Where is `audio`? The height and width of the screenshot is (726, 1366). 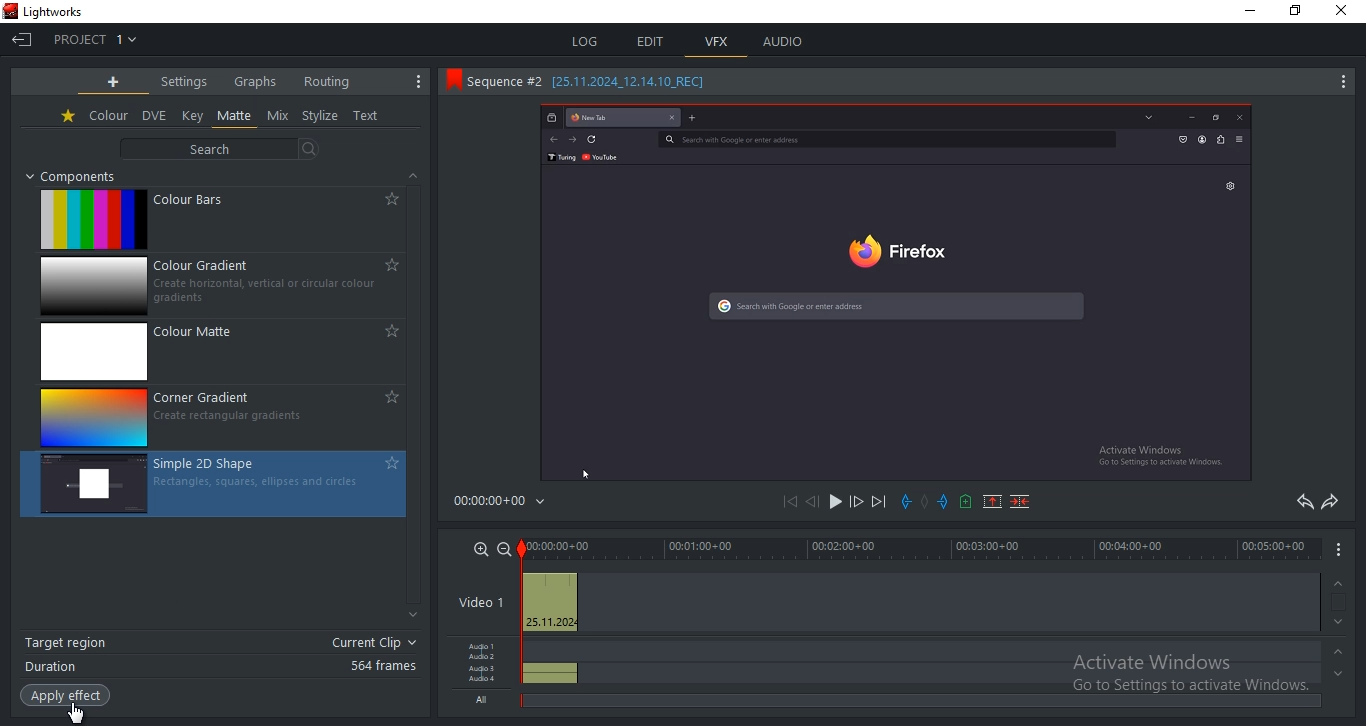
audio is located at coordinates (785, 41).